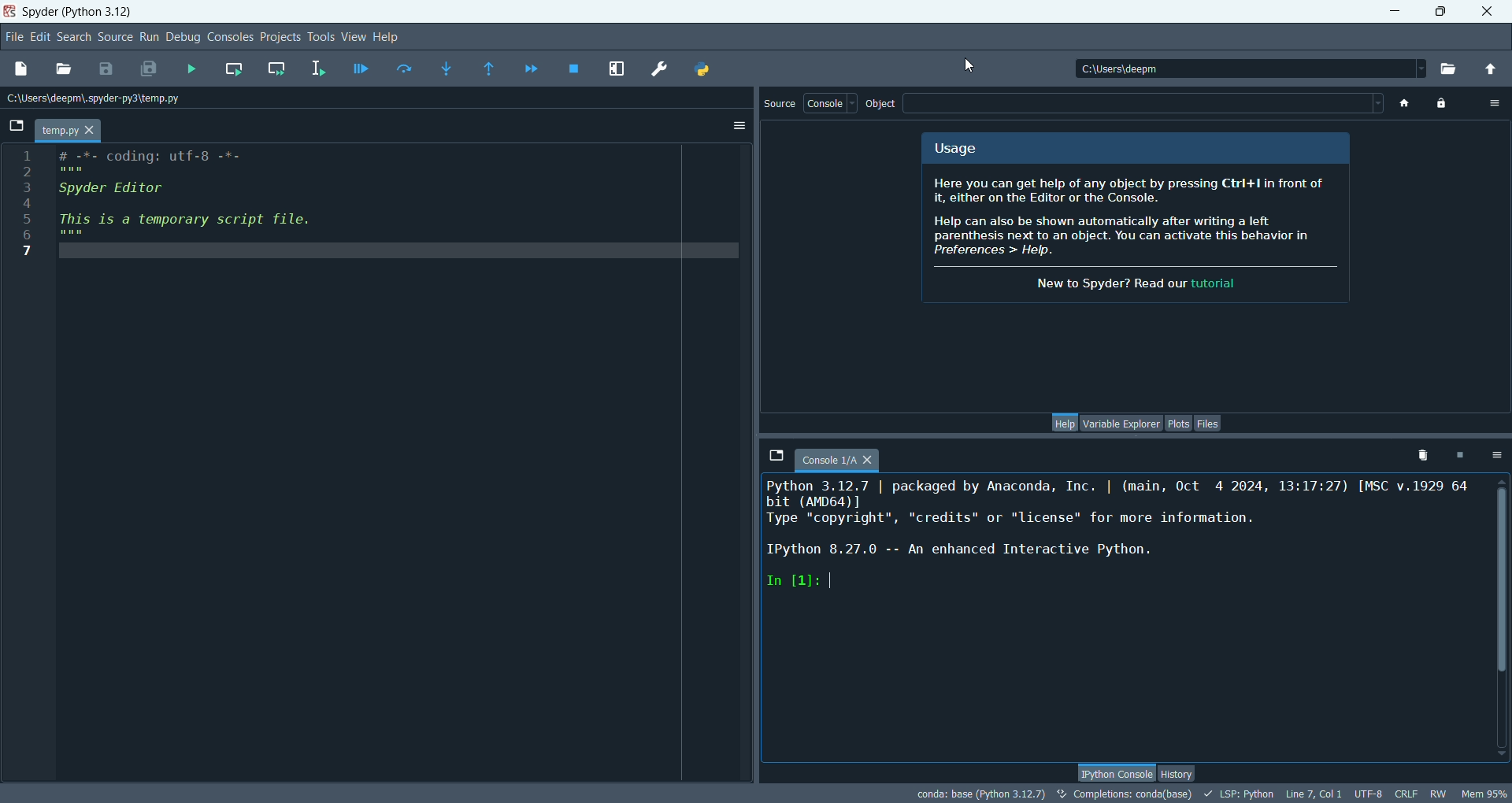 This screenshot has width=1512, height=803. What do you see at coordinates (1126, 794) in the screenshot?
I see `completion:conda` at bounding box center [1126, 794].